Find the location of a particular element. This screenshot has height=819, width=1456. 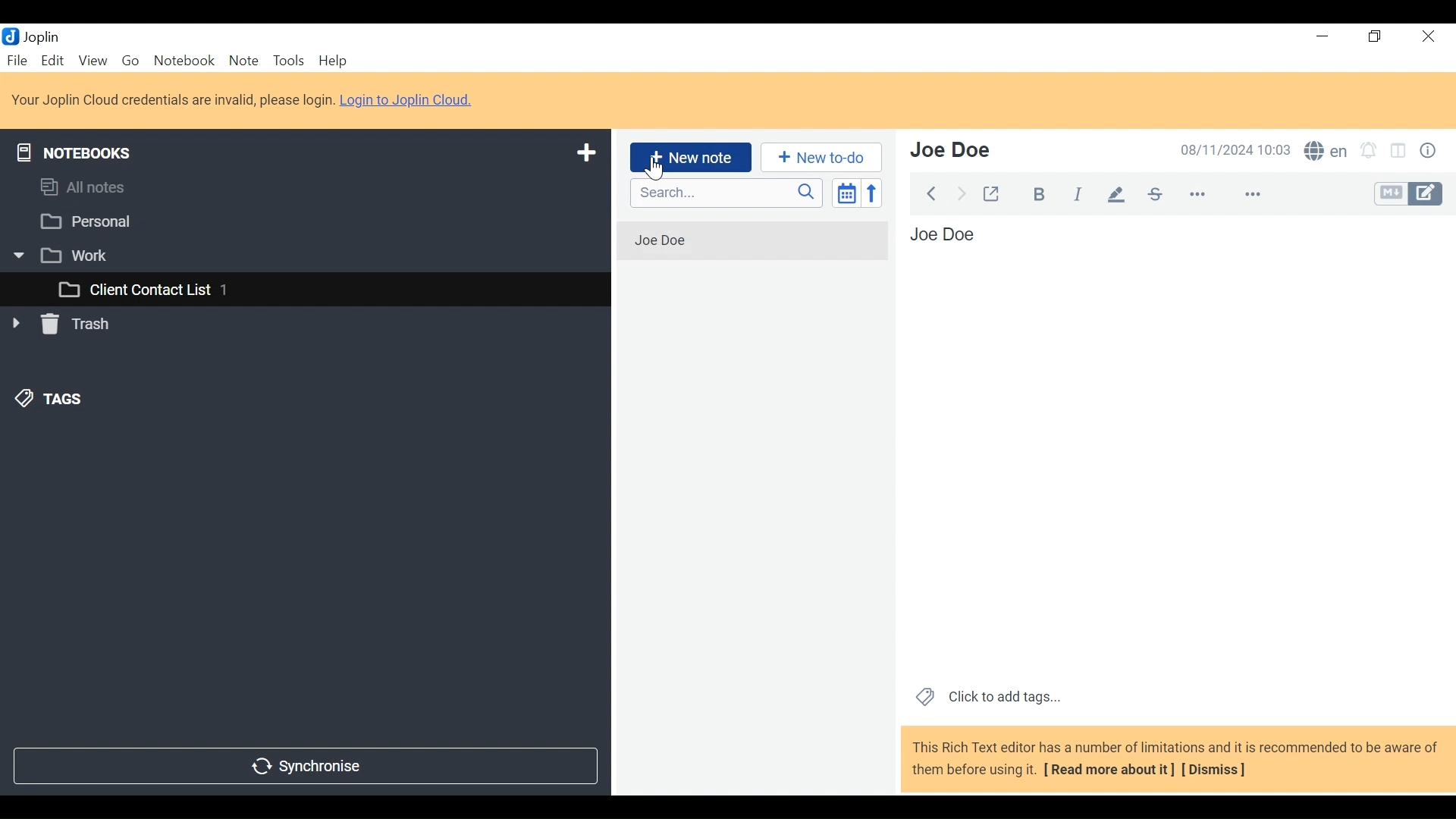

Add a notebook is located at coordinates (584, 153).